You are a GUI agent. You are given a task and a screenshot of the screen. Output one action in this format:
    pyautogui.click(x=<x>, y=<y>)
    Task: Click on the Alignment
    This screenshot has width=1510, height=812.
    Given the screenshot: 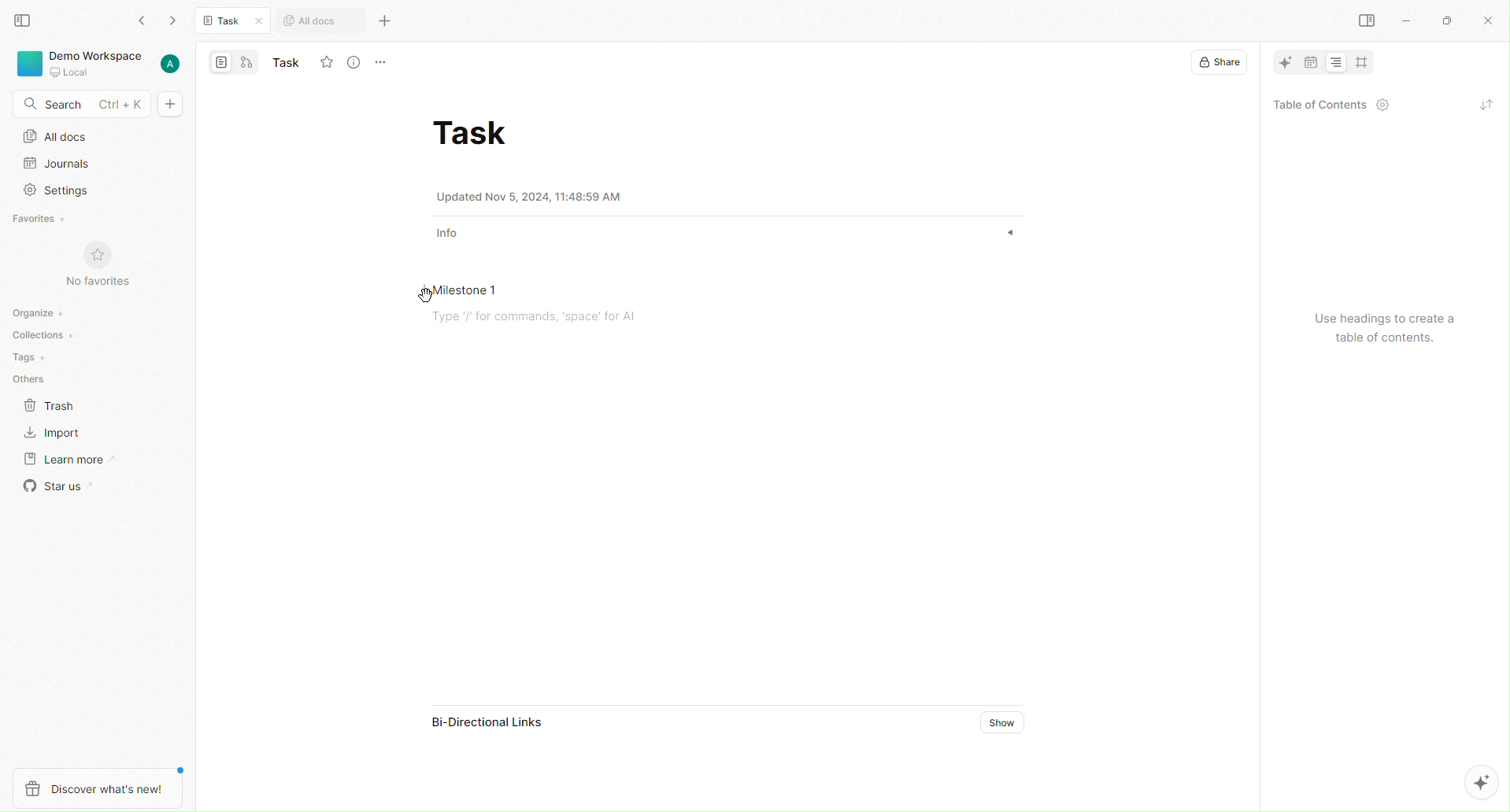 What is the action you would take?
    pyautogui.click(x=1336, y=62)
    